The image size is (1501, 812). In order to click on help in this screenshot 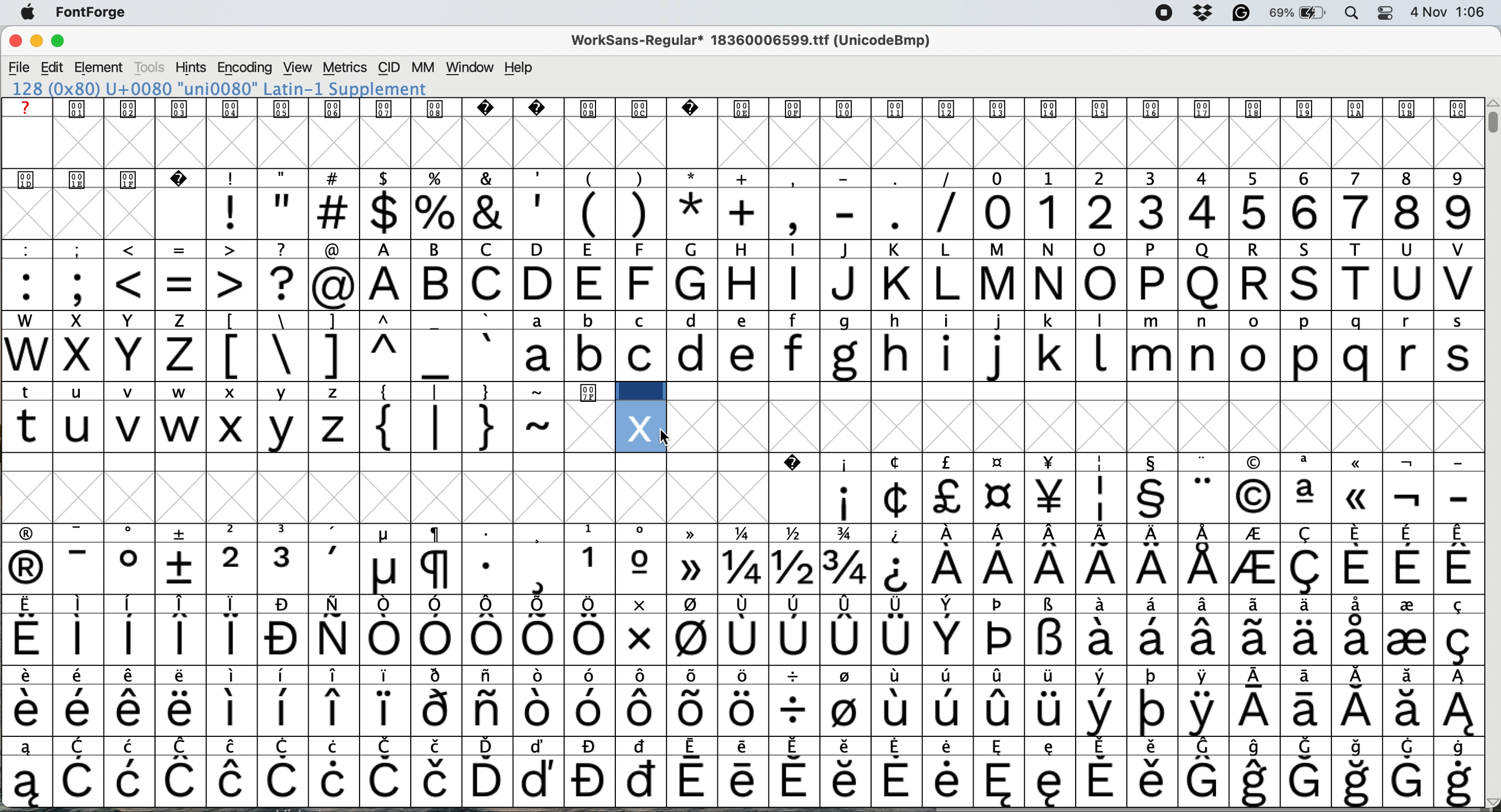, I will do `click(520, 68)`.